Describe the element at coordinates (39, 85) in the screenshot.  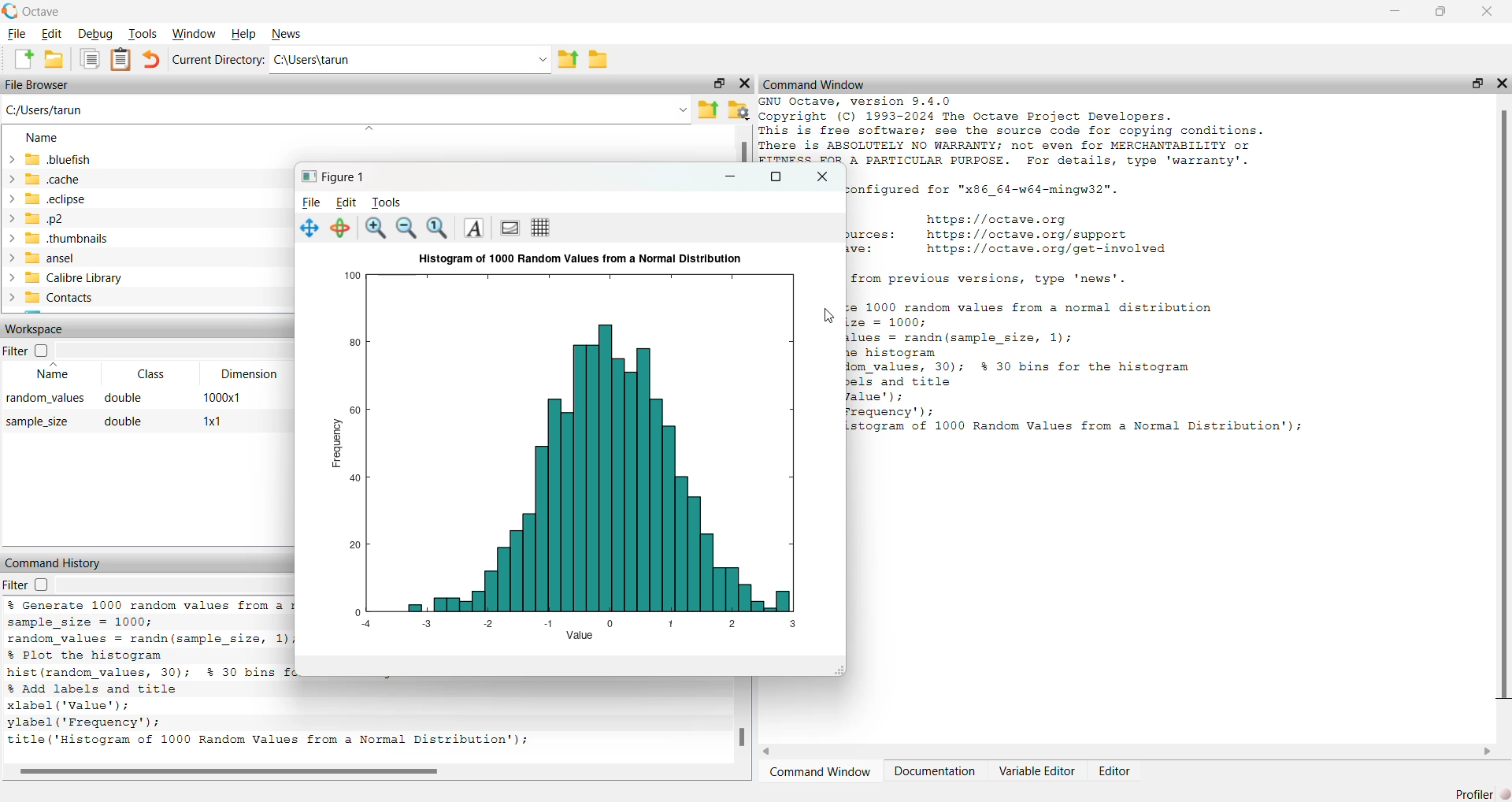
I see `File Browser` at that location.